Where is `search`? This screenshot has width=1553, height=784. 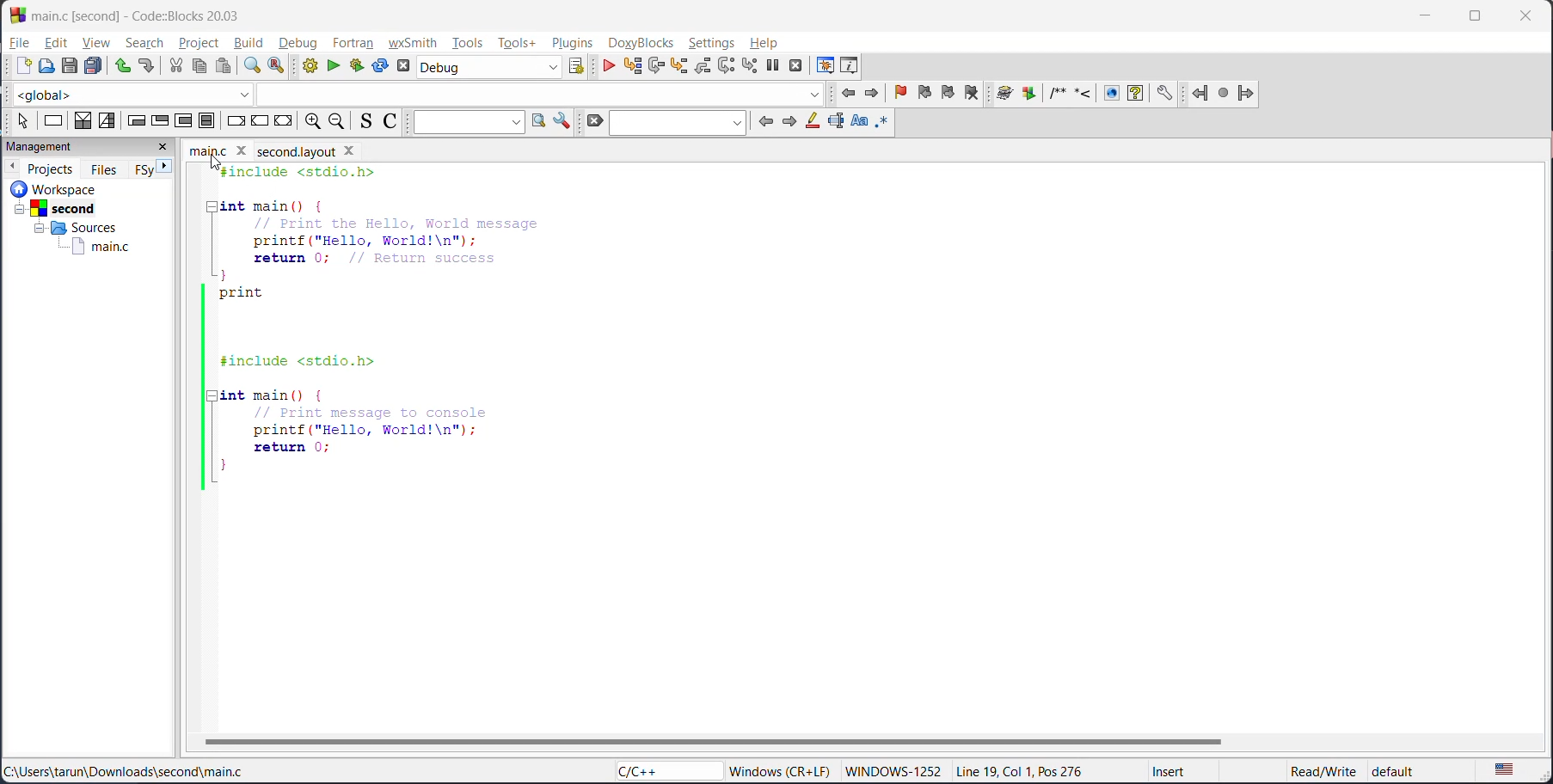
search is located at coordinates (144, 42).